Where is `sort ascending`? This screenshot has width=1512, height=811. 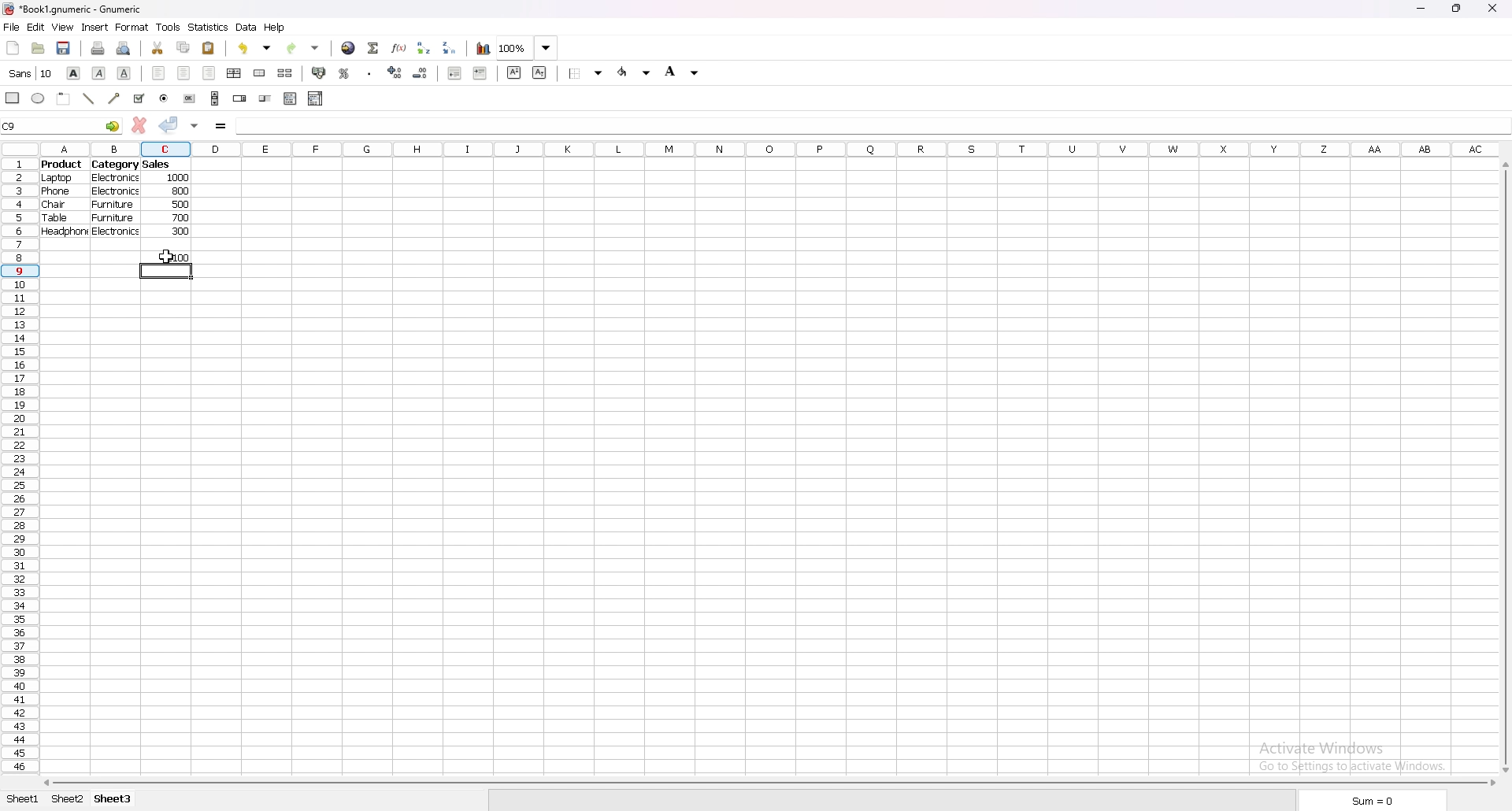
sort ascending is located at coordinates (424, 47).